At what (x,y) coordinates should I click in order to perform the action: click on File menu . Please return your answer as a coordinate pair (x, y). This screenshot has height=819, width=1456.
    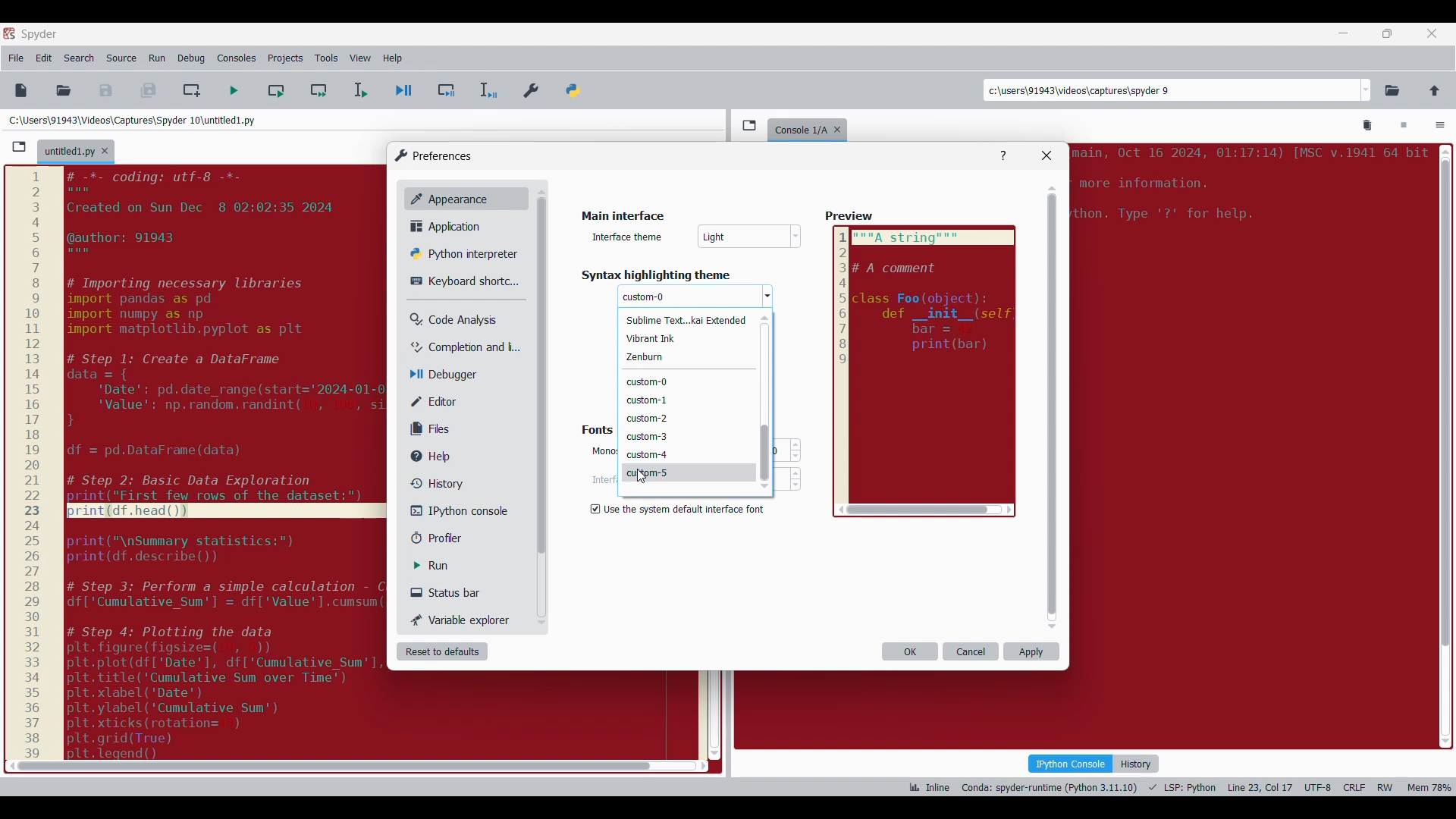
    Looking at the image, I should click on (16, 58).